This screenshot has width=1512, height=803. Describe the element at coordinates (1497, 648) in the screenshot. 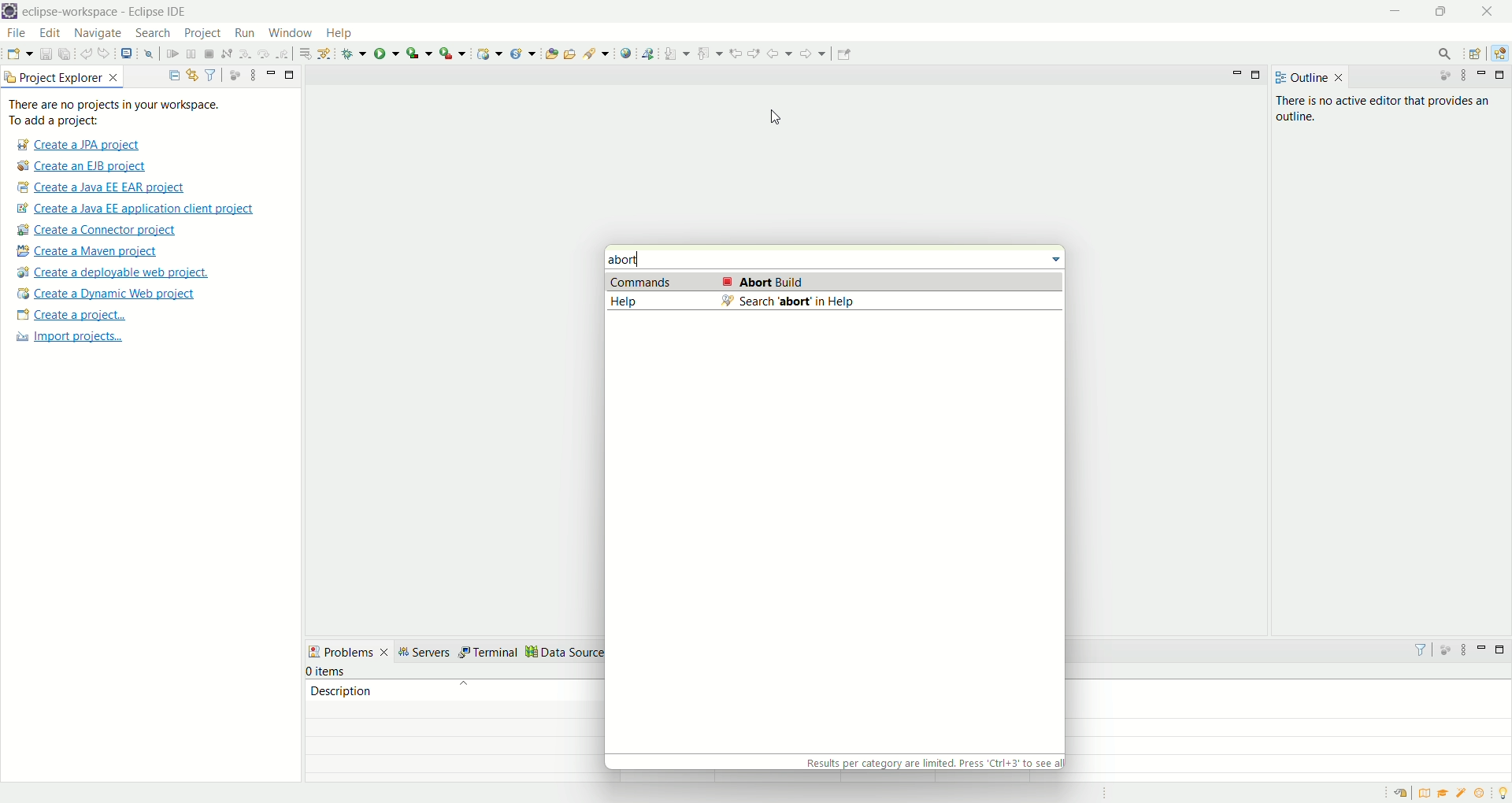

I see `maximize` at that location.